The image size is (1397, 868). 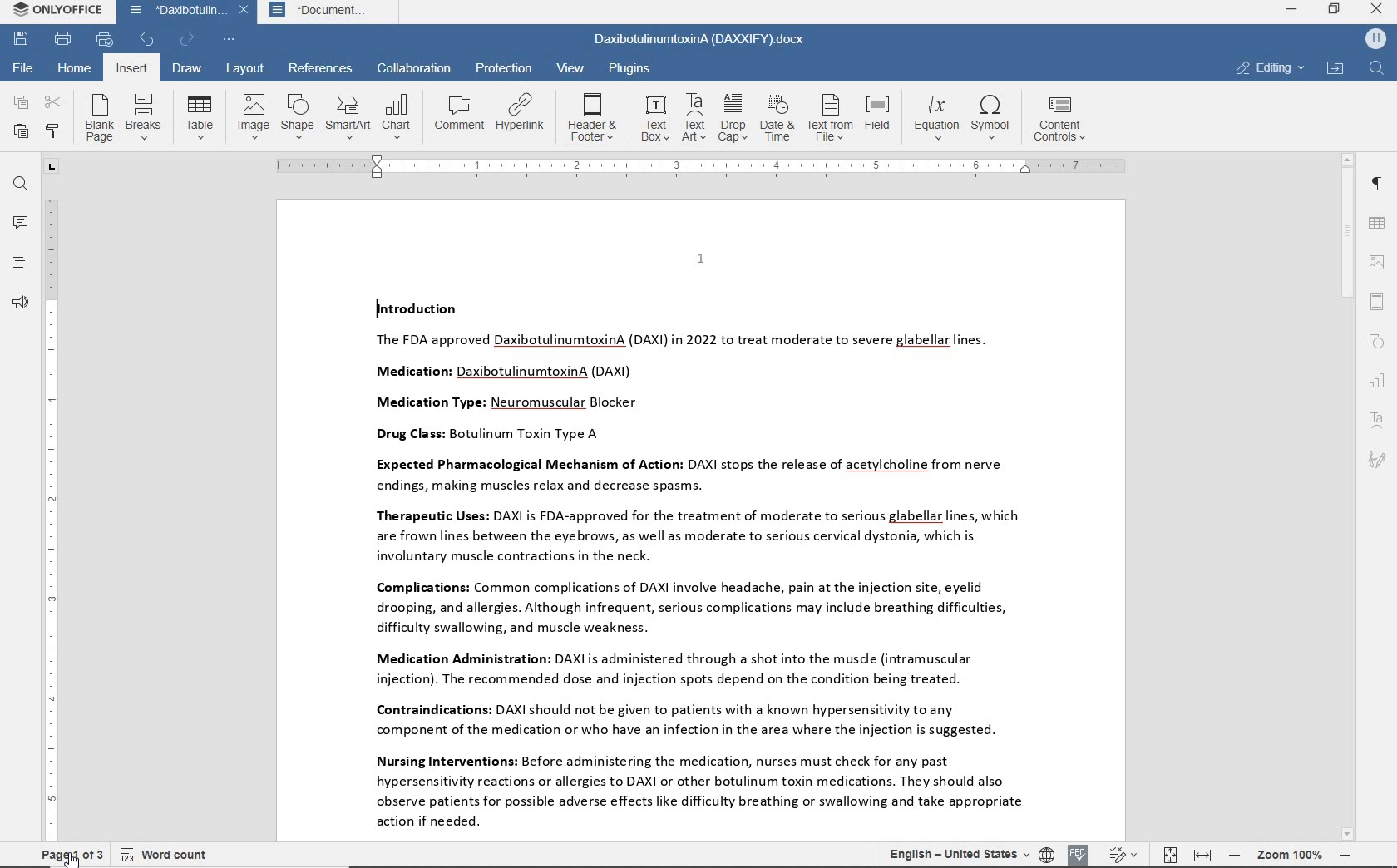 I want to click on copy style, so click(x=54, y=131).